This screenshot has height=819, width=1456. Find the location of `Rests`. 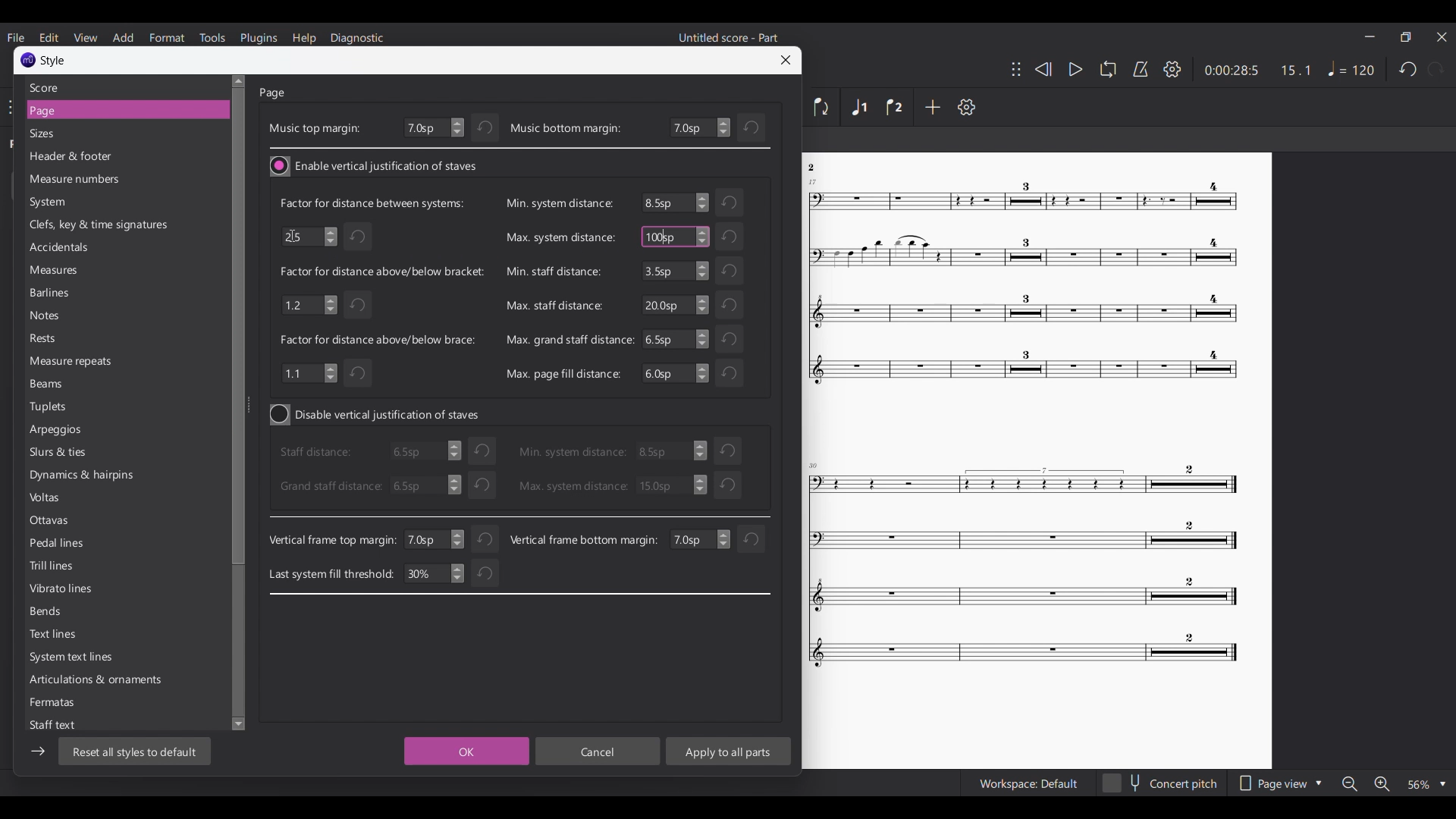

Rests is located at coordinates (71, 340).